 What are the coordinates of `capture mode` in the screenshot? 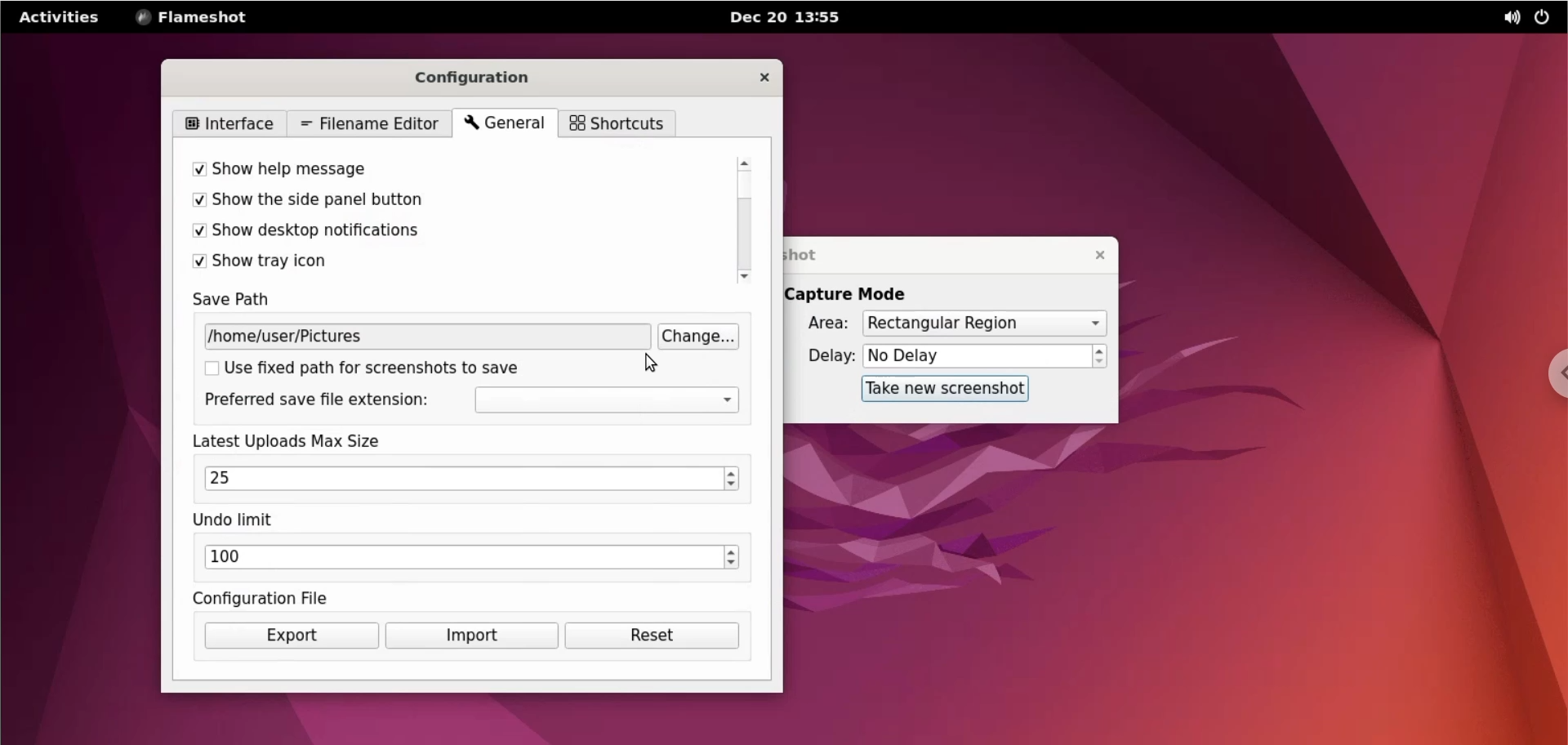 It's located at (861, 294).